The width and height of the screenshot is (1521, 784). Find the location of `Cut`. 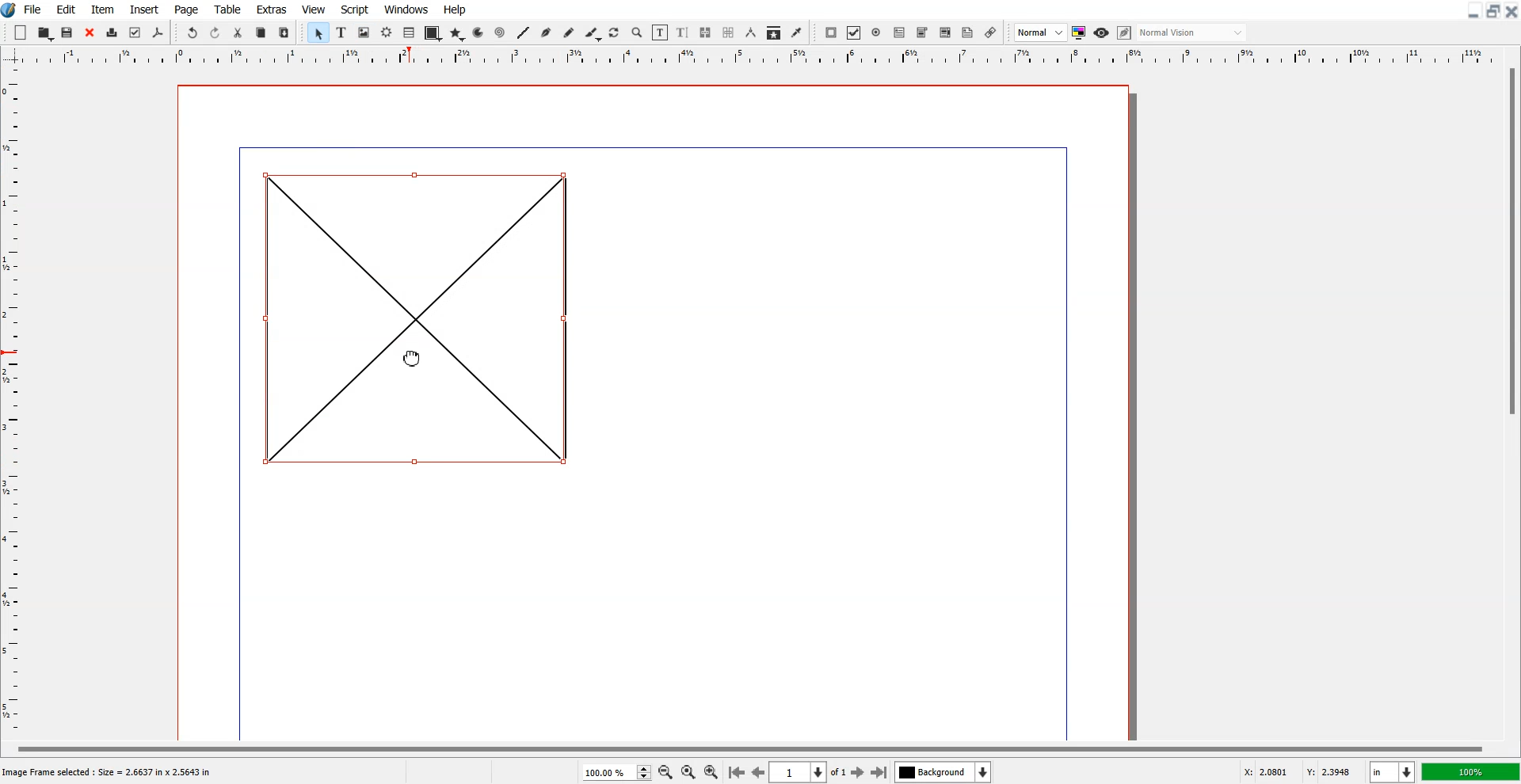

Cut is located at coordinates (238, 32).